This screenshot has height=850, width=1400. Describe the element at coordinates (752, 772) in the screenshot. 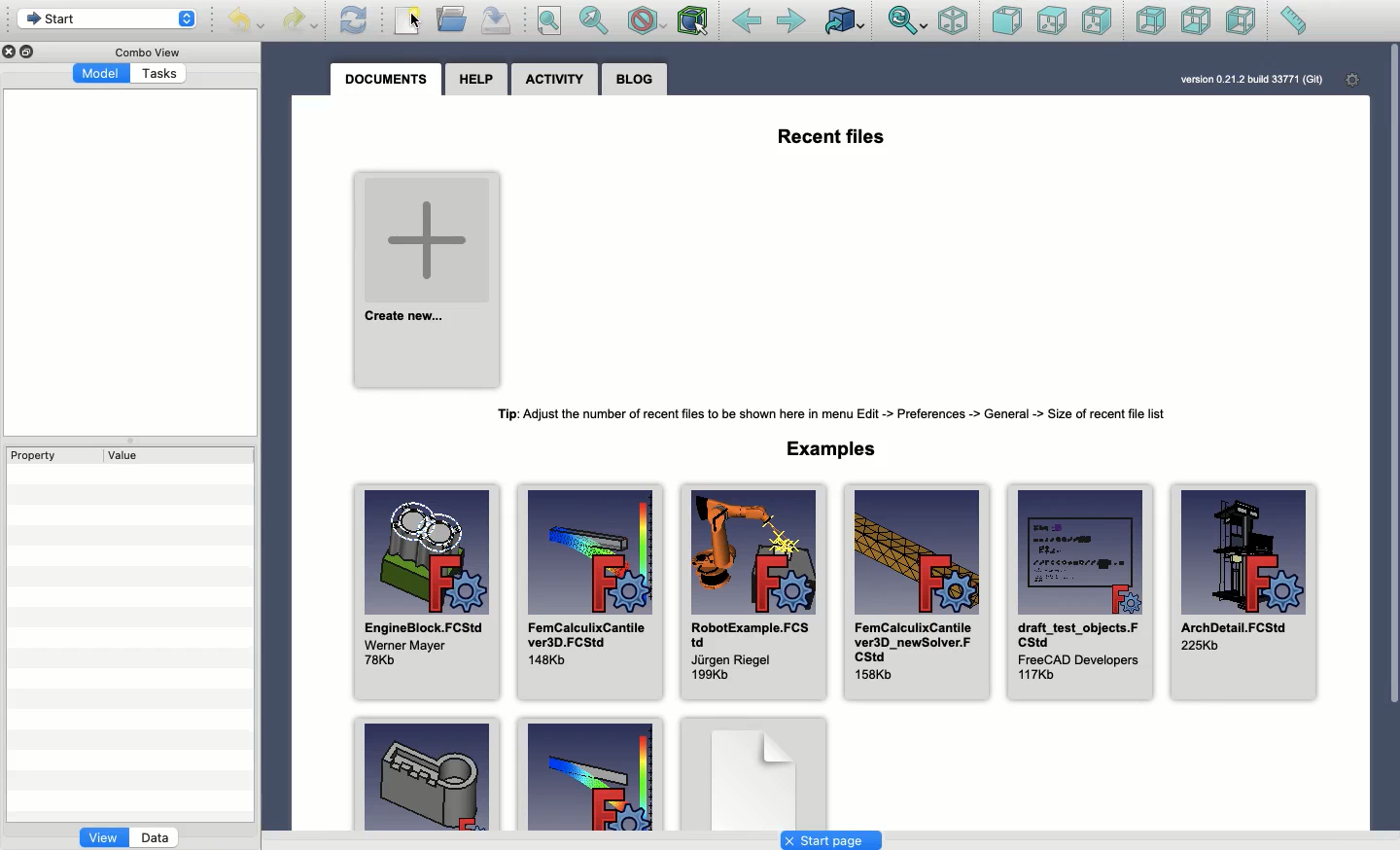

I see `Examples` at that location.